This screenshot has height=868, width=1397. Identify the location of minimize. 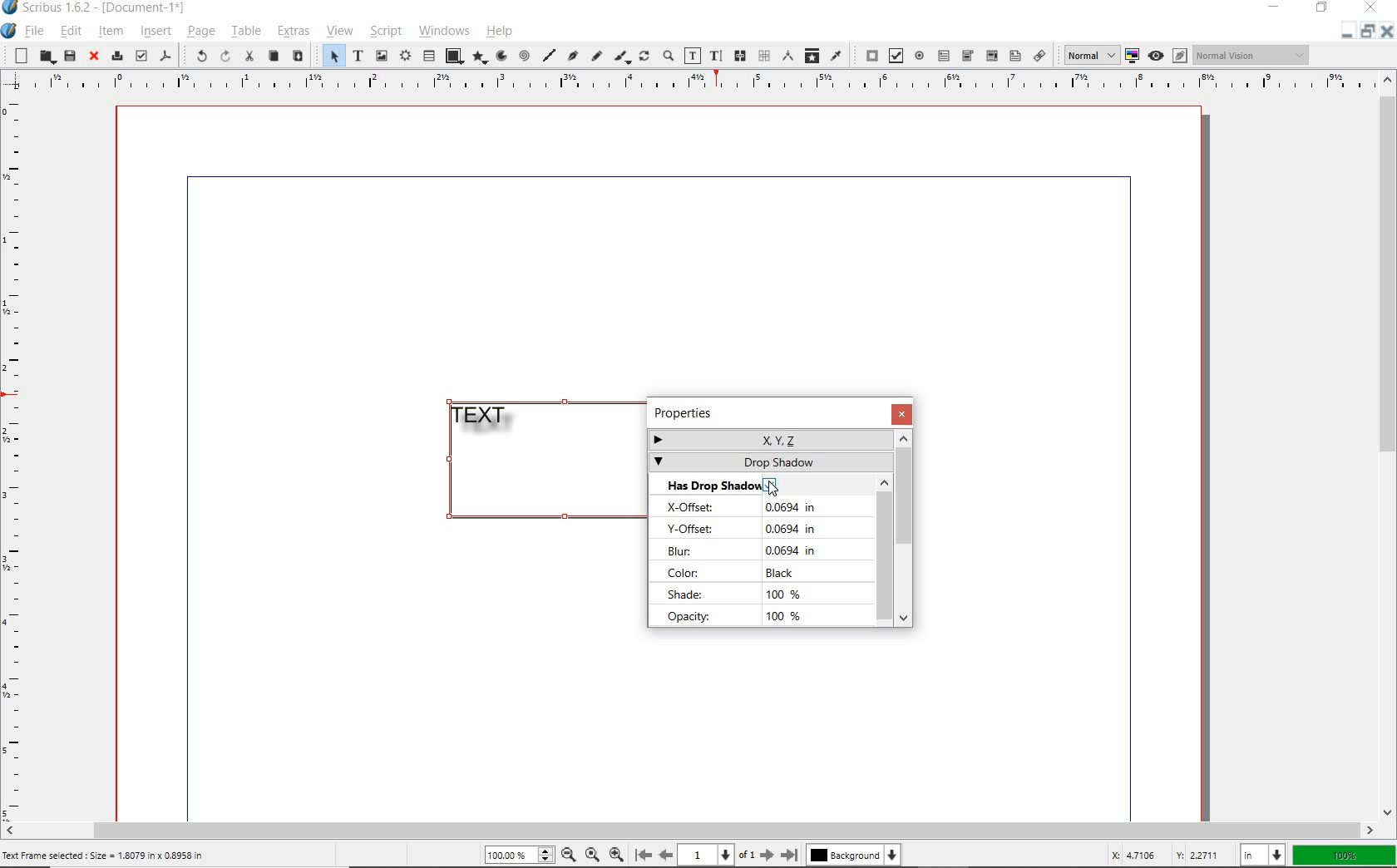
(1365, 32).